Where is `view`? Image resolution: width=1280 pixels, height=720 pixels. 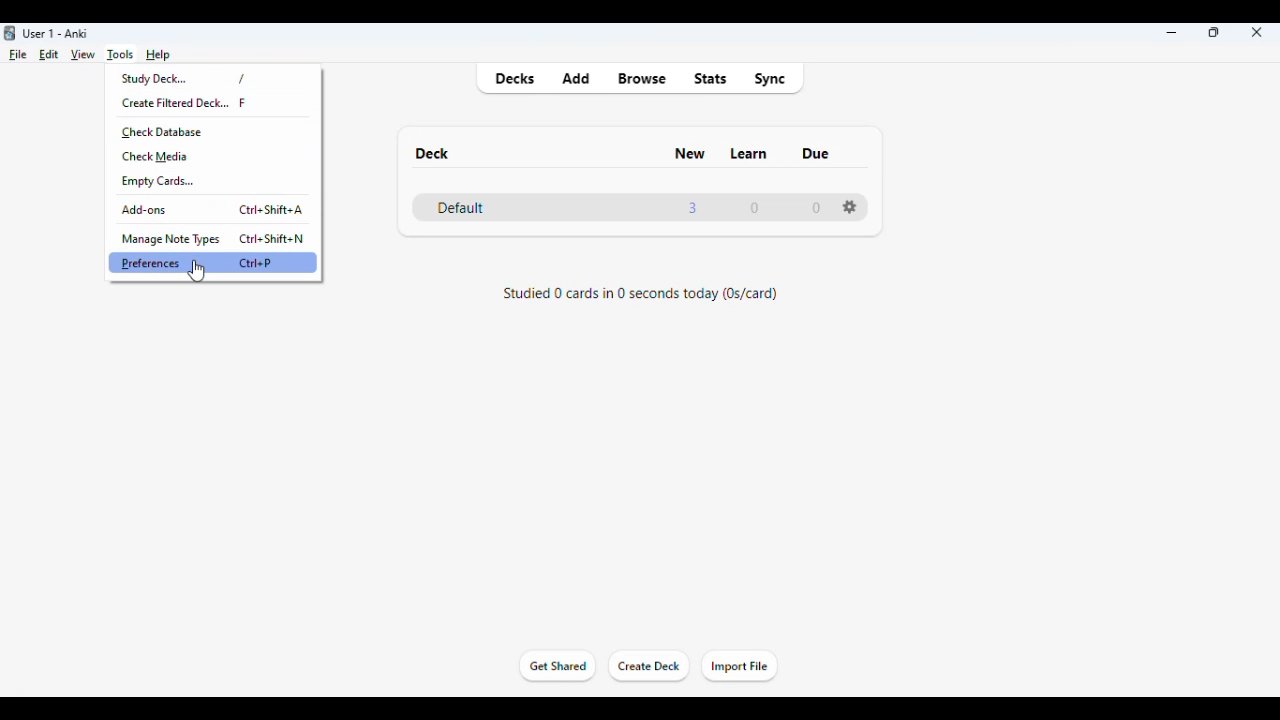 view is located at coordinates (82, 56).